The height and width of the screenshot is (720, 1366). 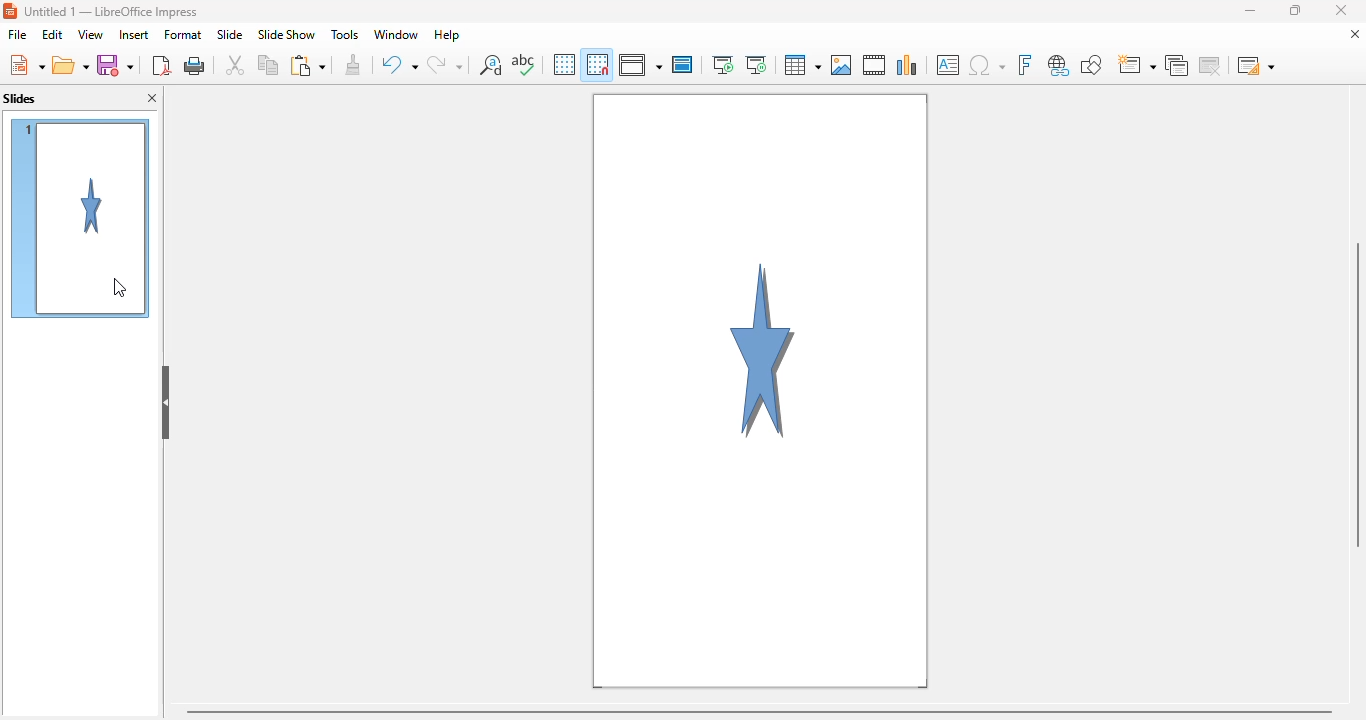 What do you see at coordinates (196, 64) in the screenshot?
I see `print` at bounding box center [196, 64].